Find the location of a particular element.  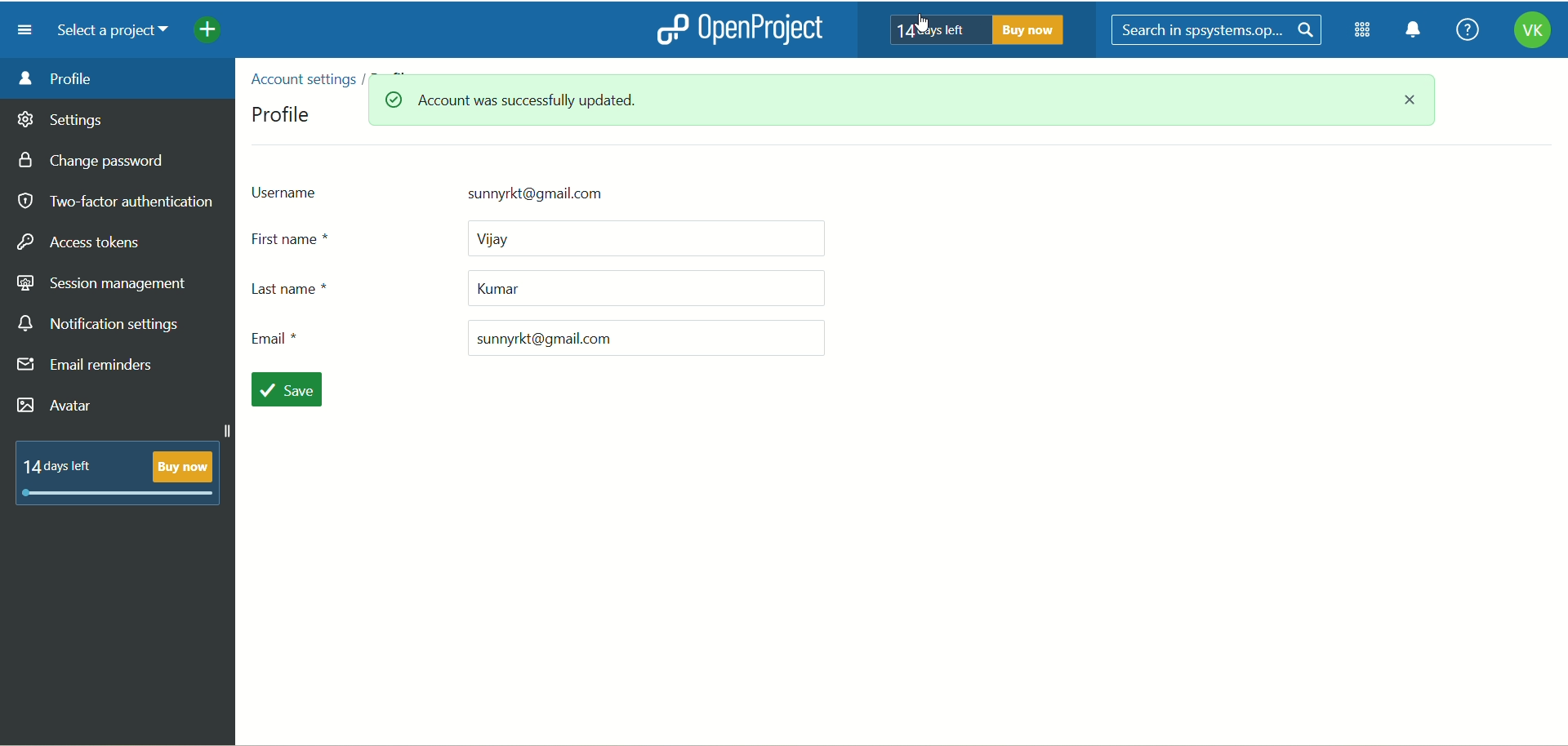

save is located at coordinates (292, 391).